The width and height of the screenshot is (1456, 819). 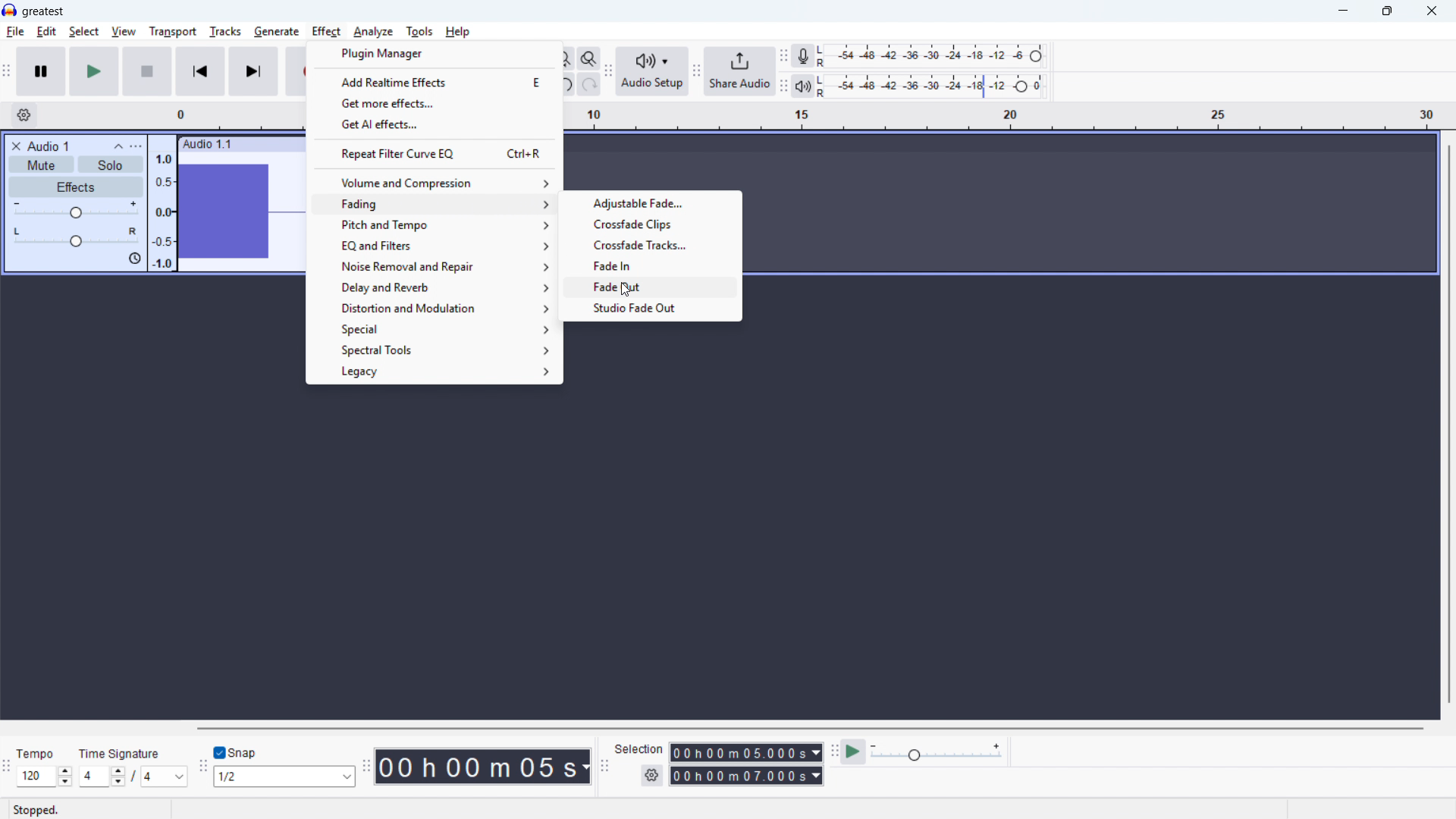 I want to click on Horizontal scroll bar , so click(x=809, y=729).